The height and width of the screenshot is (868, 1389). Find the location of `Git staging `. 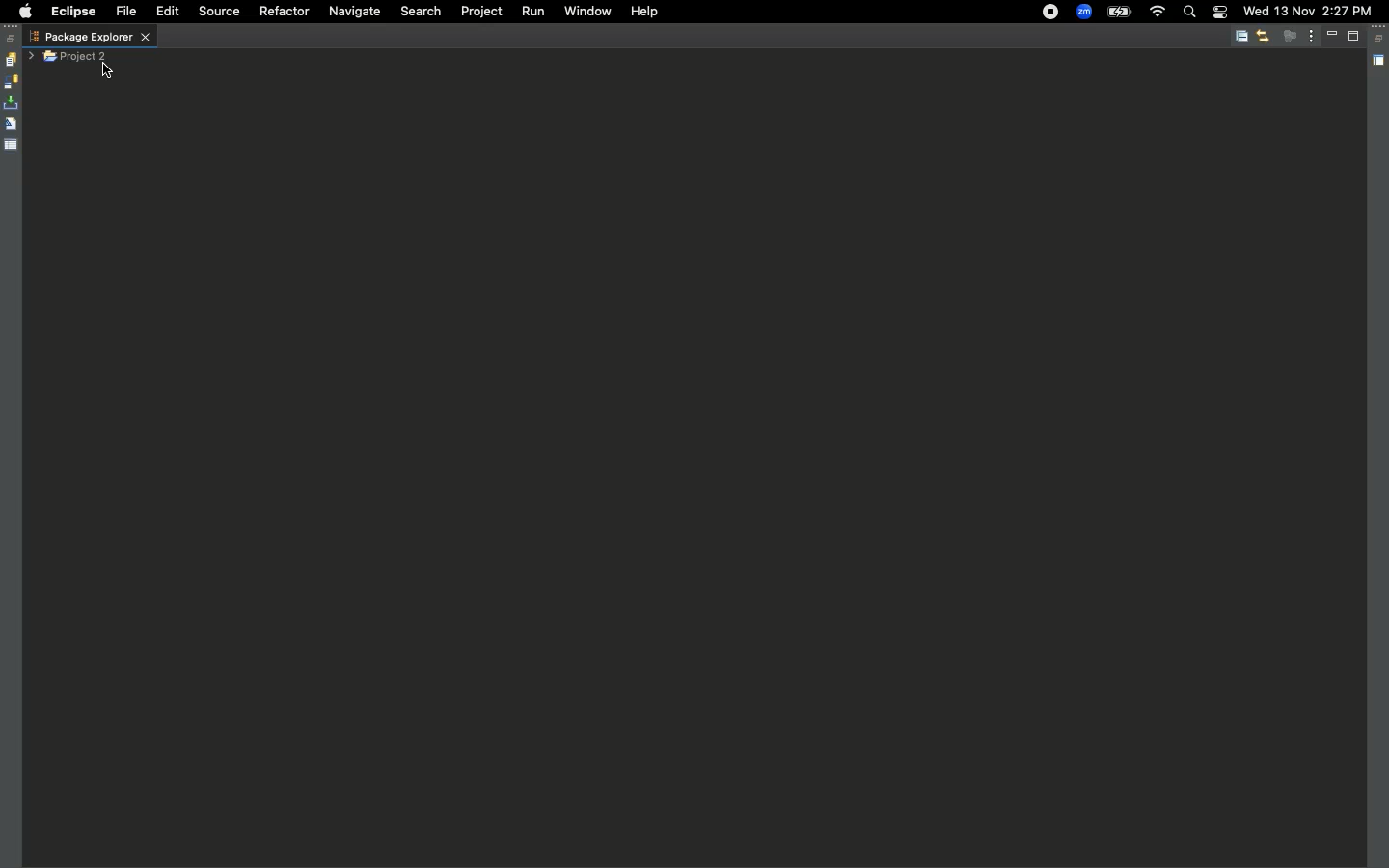

Git staging  is located at coordinates (13, 103).